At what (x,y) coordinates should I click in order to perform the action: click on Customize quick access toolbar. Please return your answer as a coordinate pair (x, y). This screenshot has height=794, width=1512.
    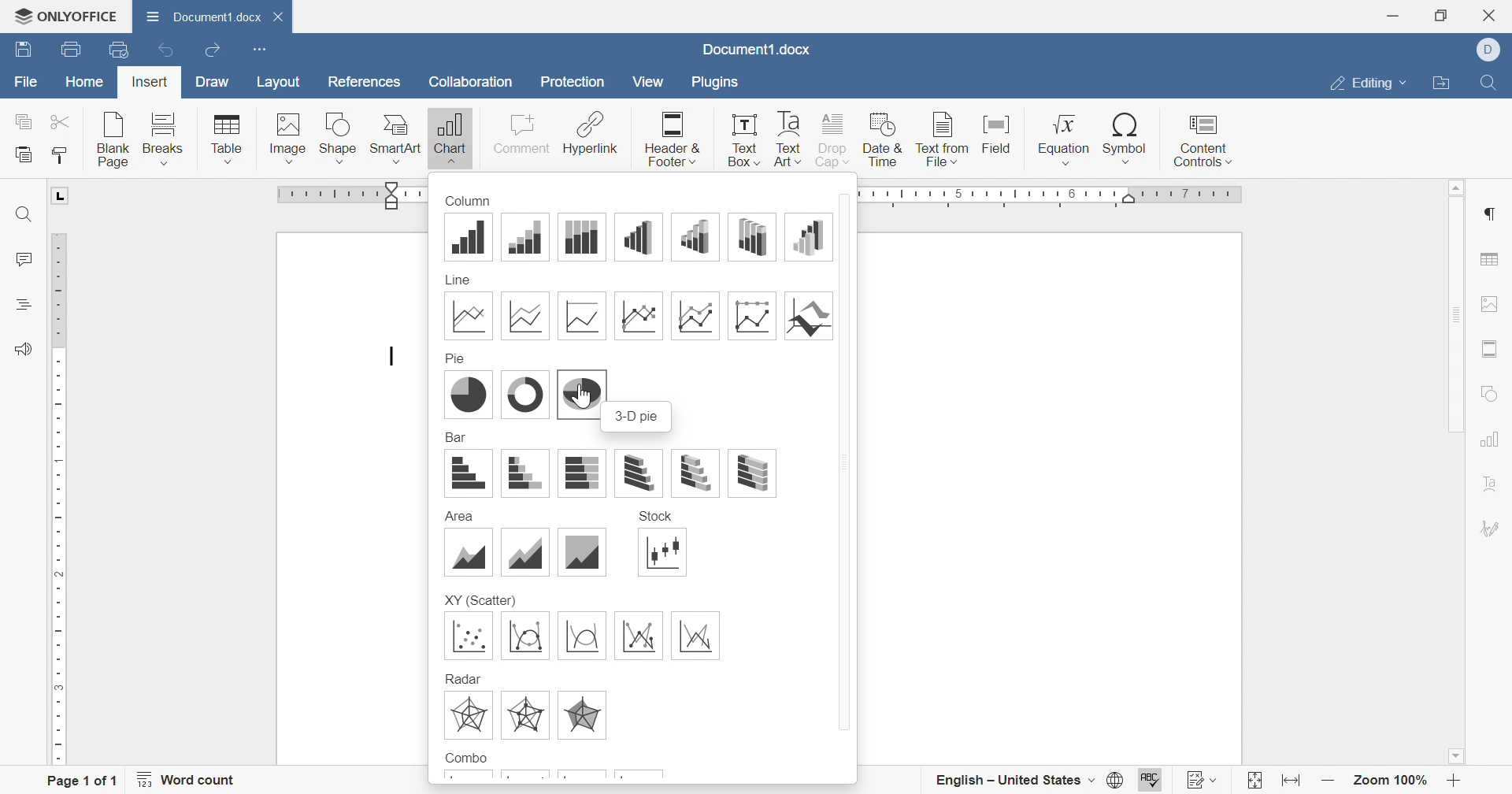
    Looking at the image, I should click on (259, 49).